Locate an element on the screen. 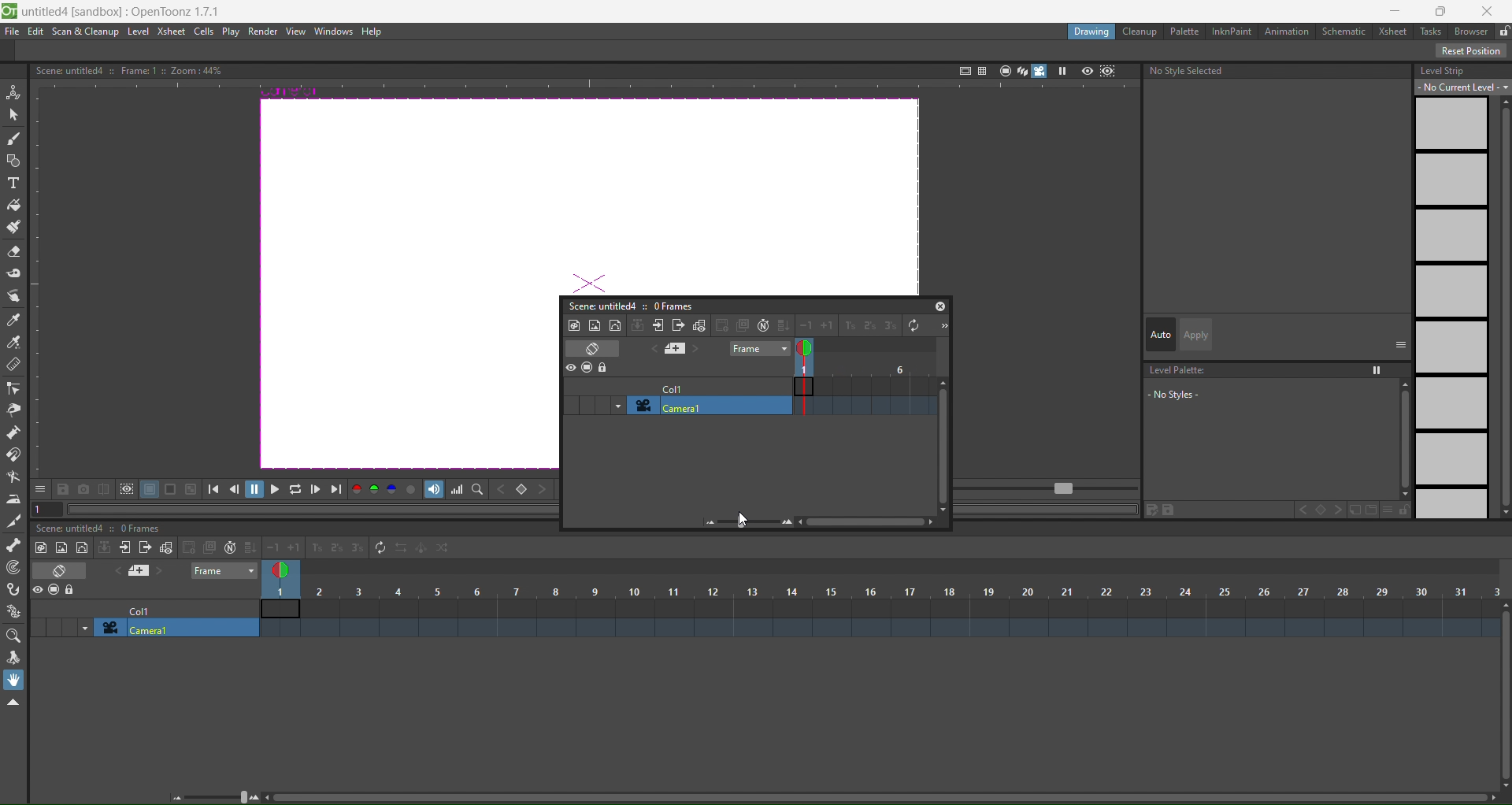 This screenshot has width=1512, height=805. fill tool is located at coordinates (13, 206).